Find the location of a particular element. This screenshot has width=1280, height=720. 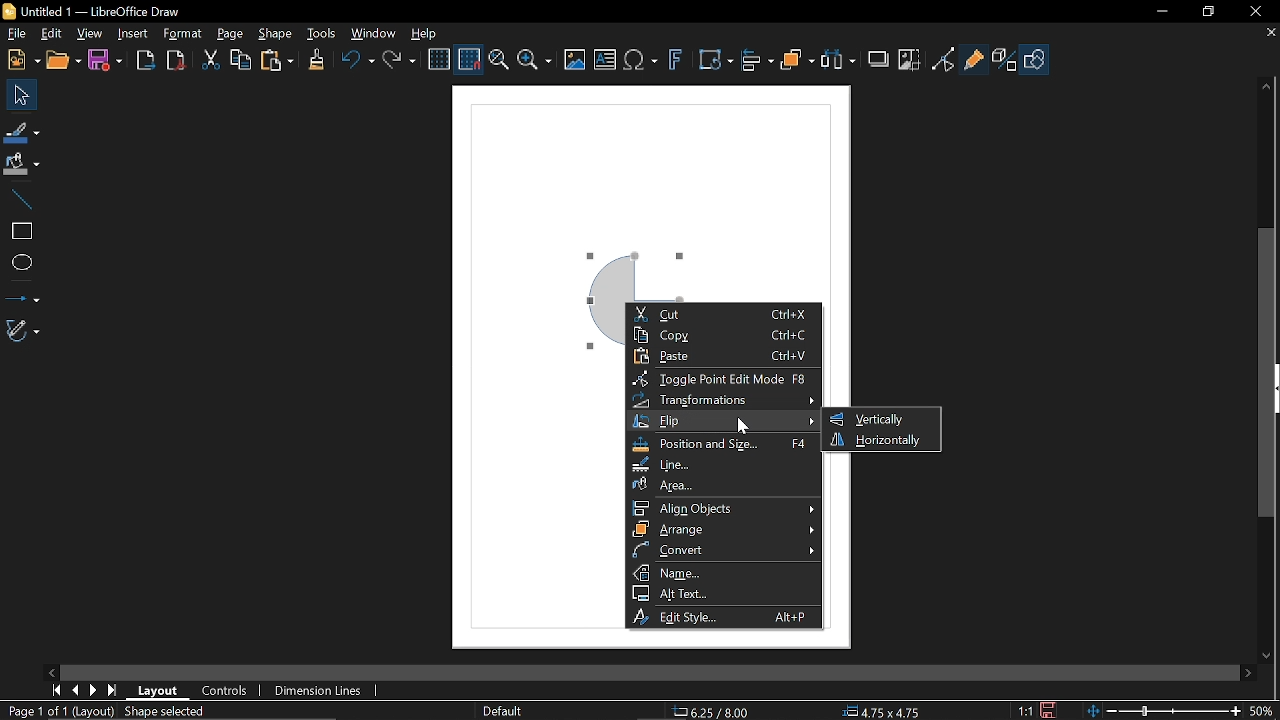

LibreOffice Logo is located at coordinates (11, 12).